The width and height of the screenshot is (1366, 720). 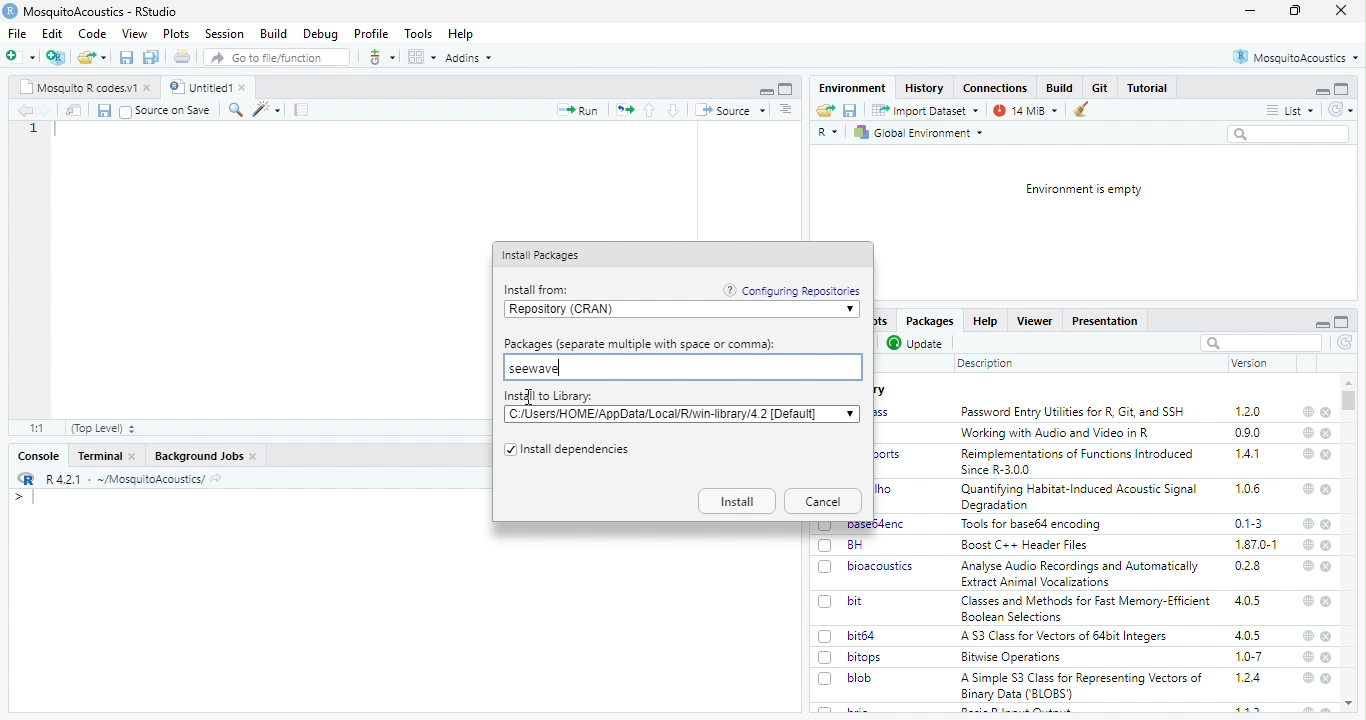 What do you see at coordinates (1348, 401) in the screenshot?
I see `scroll bar` at bounding box center [1348, 401].